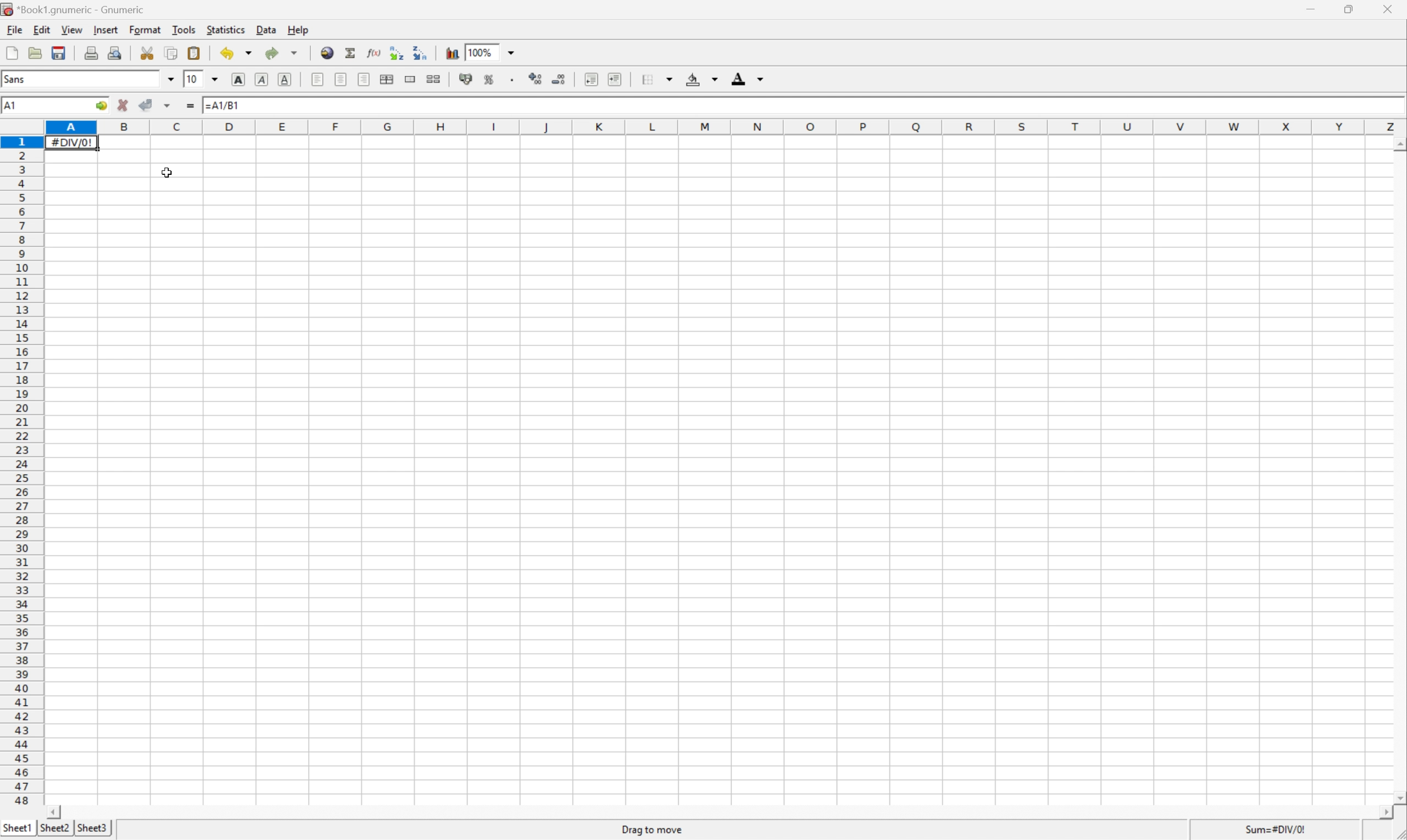 Image resolution: width=1407 pixels, height=840 pixels. What do you see at coordinates (695, 80) in the screenshot?
I see `Background` at bounding box center [695, 80].